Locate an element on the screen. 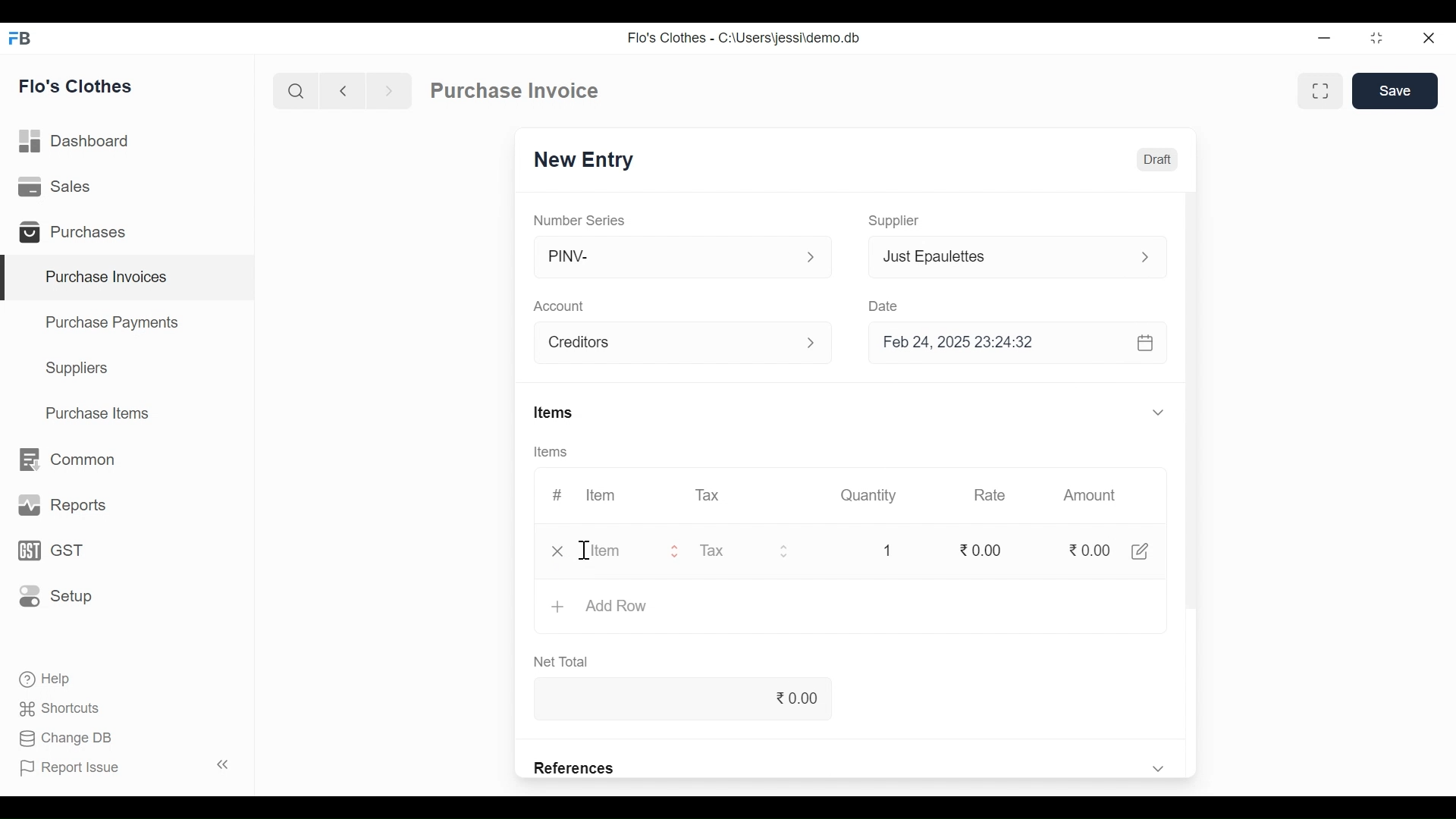 Image resolution: width=1456 pixels, height=819 pixels. Purchase Invoice is located at coordinates (514, 90).